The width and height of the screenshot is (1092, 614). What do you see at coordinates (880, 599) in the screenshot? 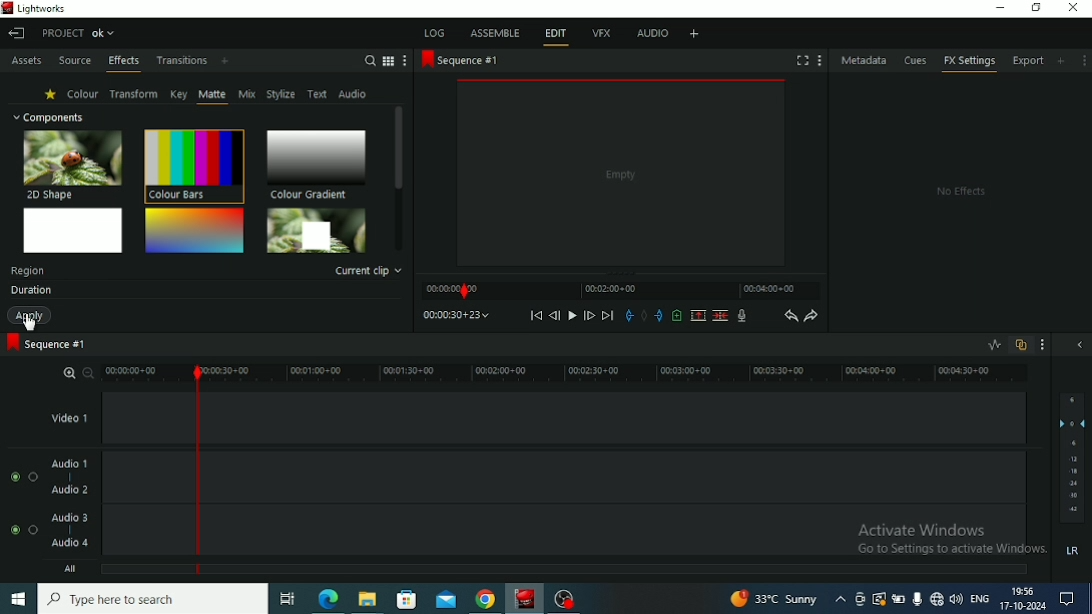
I see `warning` at bounding box center [880, 599].